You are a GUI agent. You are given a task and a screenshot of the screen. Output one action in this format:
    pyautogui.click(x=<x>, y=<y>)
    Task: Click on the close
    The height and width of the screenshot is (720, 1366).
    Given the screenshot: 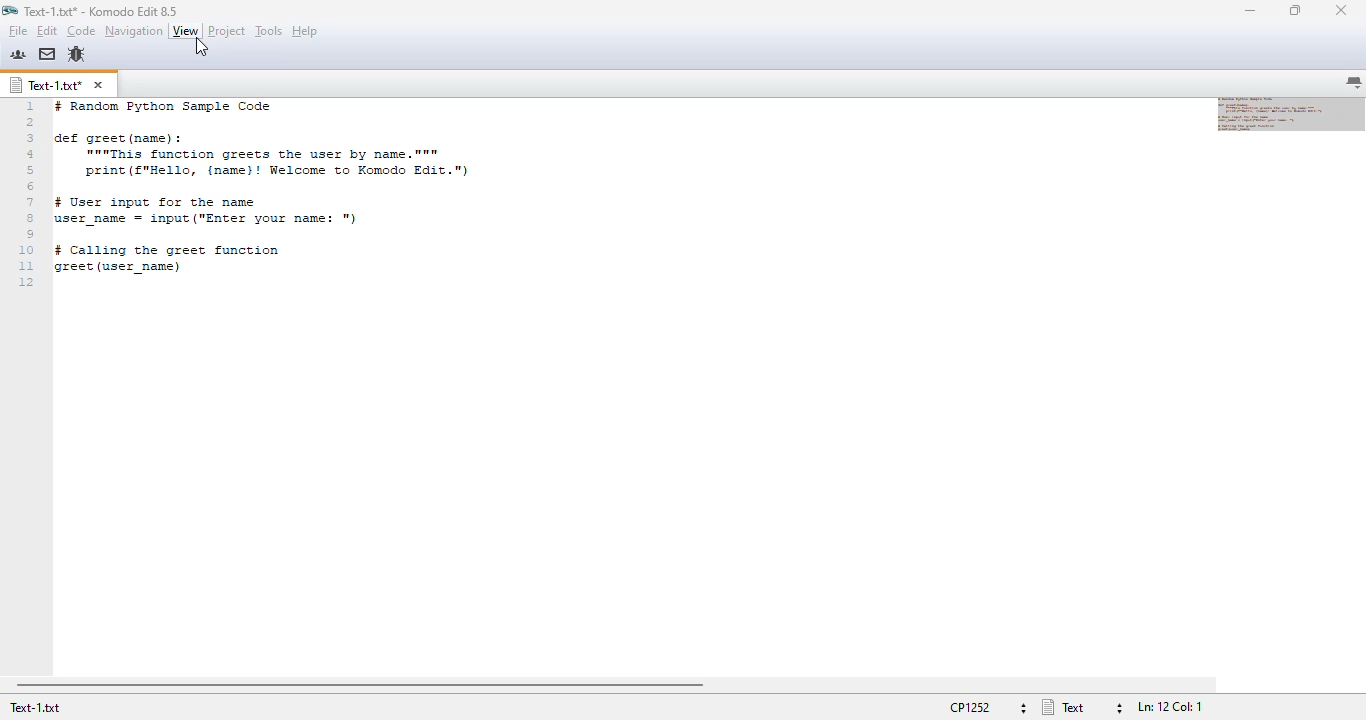 What is the action you would take?
    pyautogui.click(x=1341, y=11)
    